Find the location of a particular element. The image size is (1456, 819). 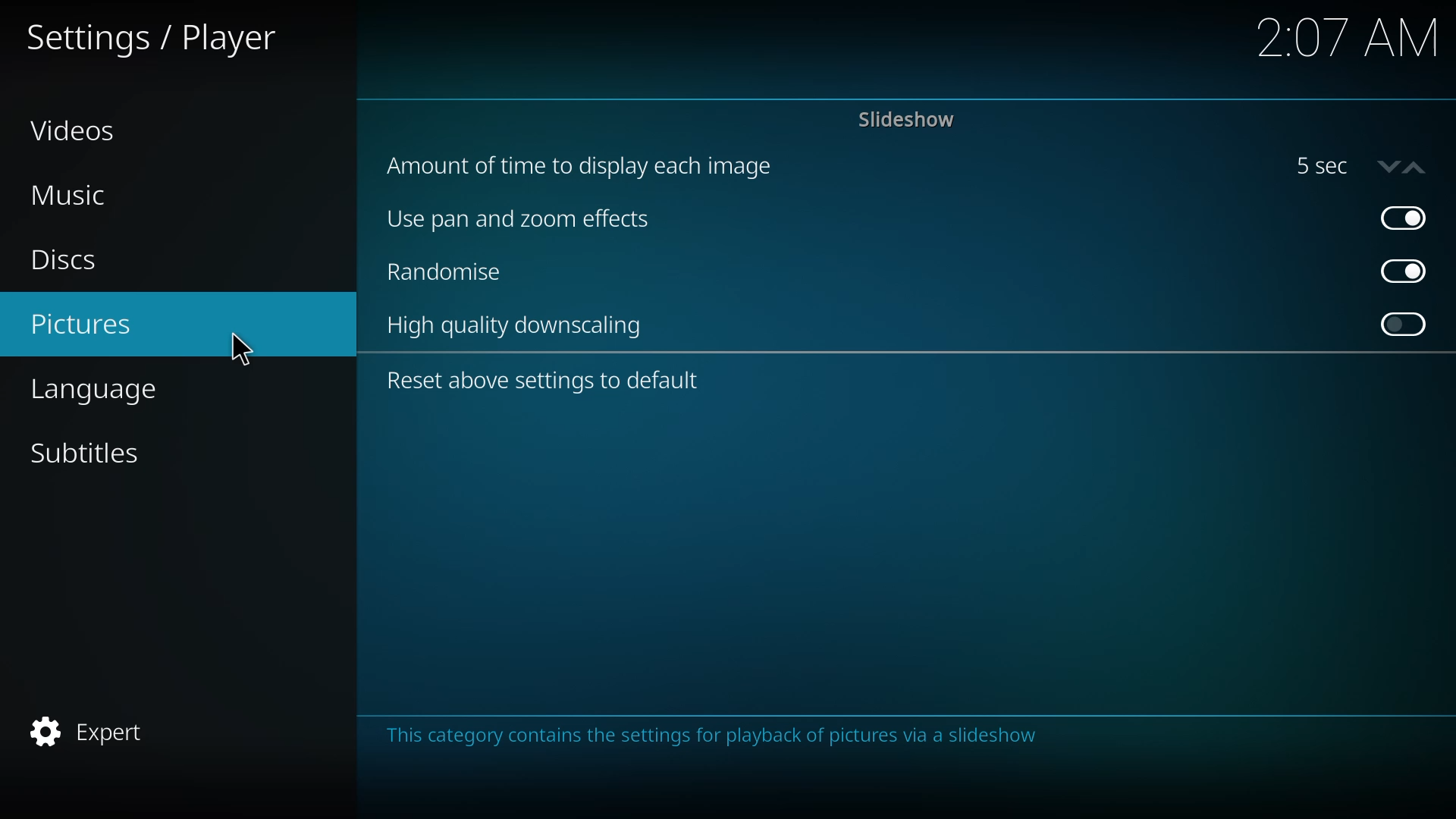

enabled is located at coordinates (1407, 271).